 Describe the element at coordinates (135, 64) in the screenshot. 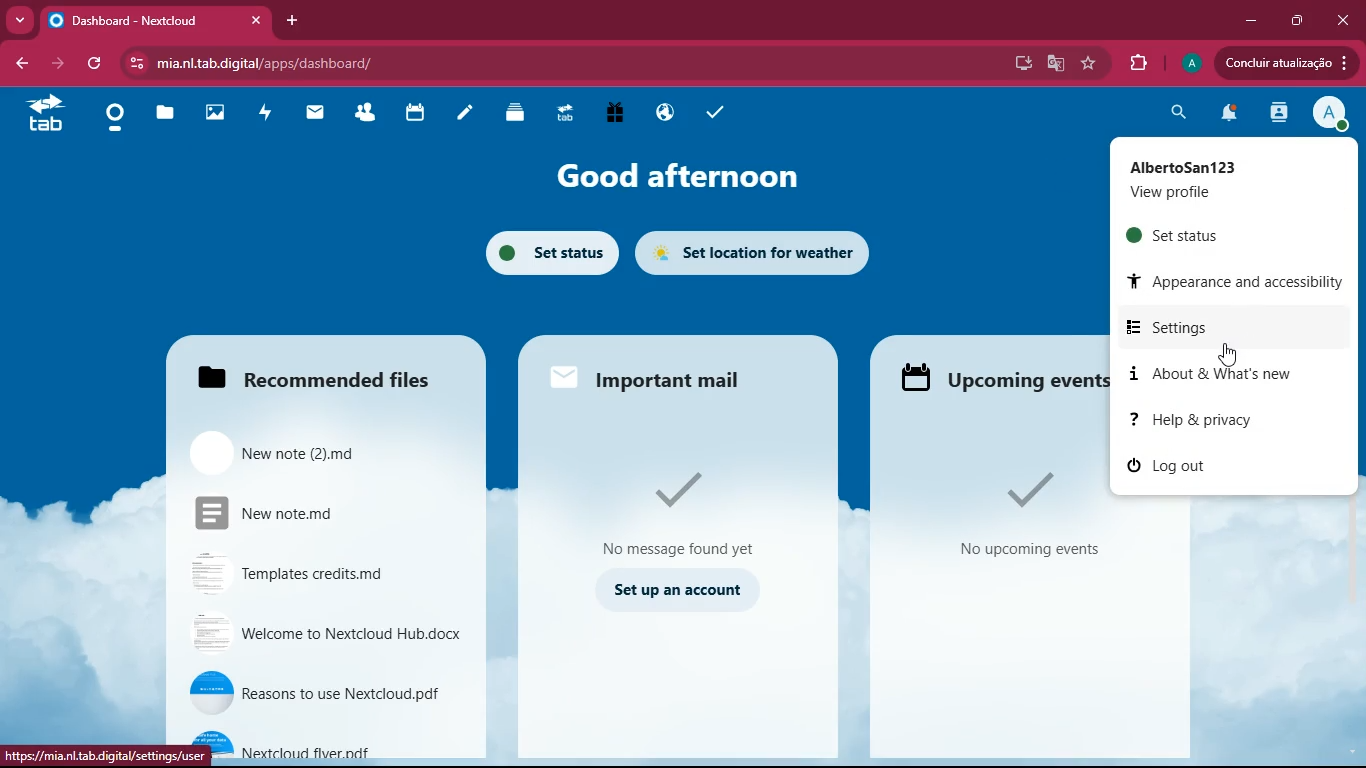

I see `View site information` at that location.